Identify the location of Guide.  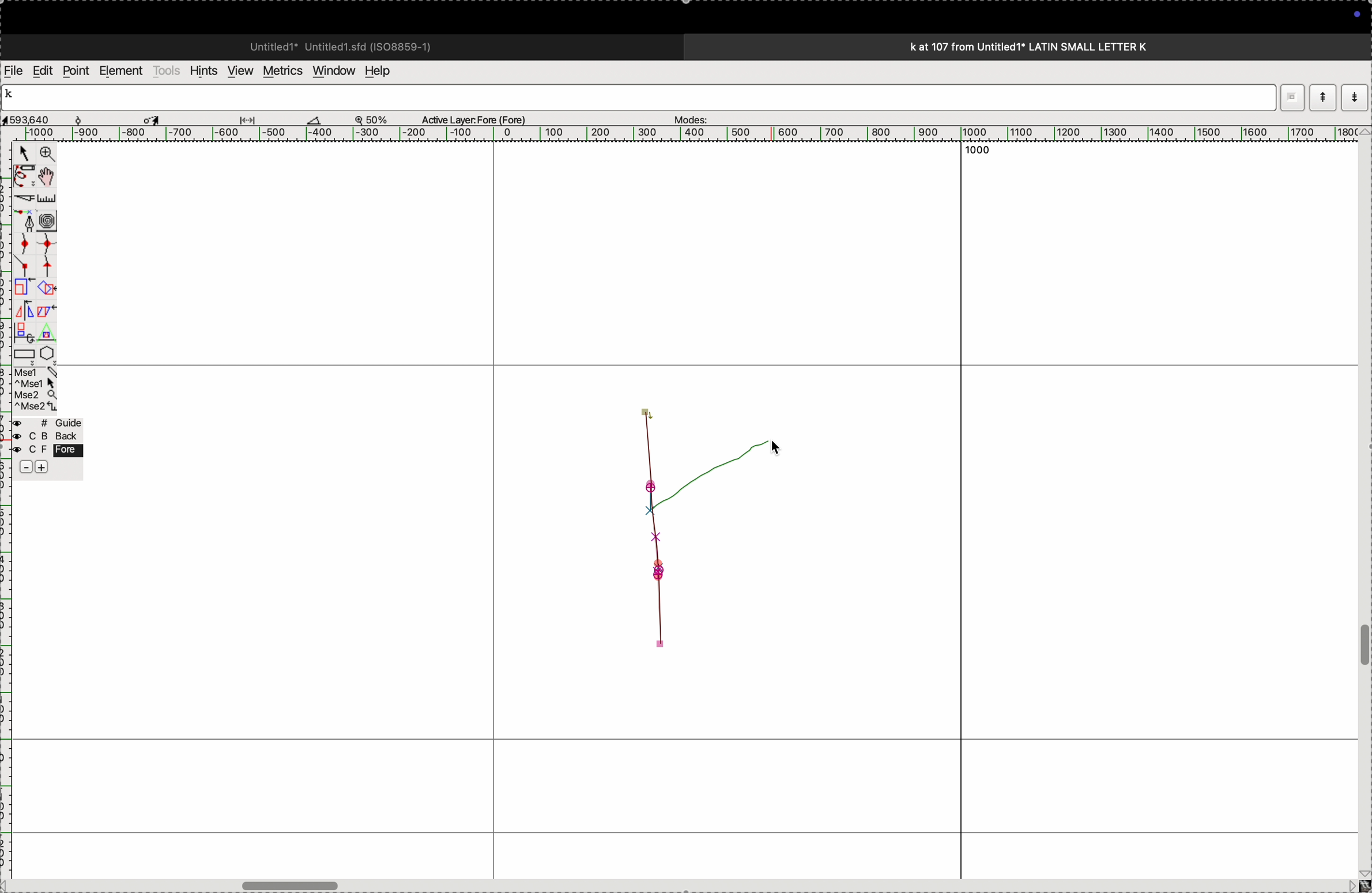
(49, 446).